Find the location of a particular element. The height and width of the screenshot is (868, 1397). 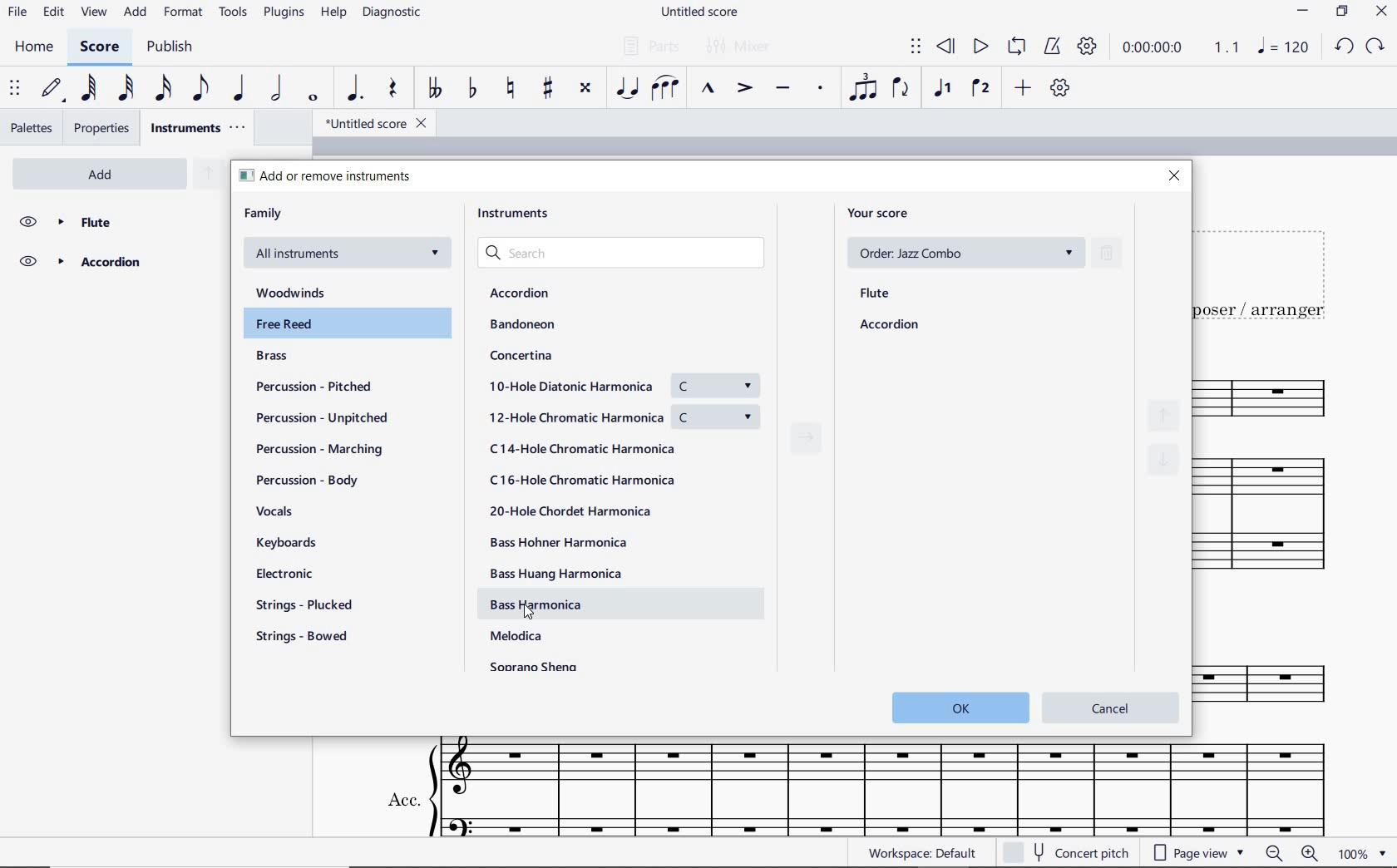

loop playback is located at coordinates (1017, 47).